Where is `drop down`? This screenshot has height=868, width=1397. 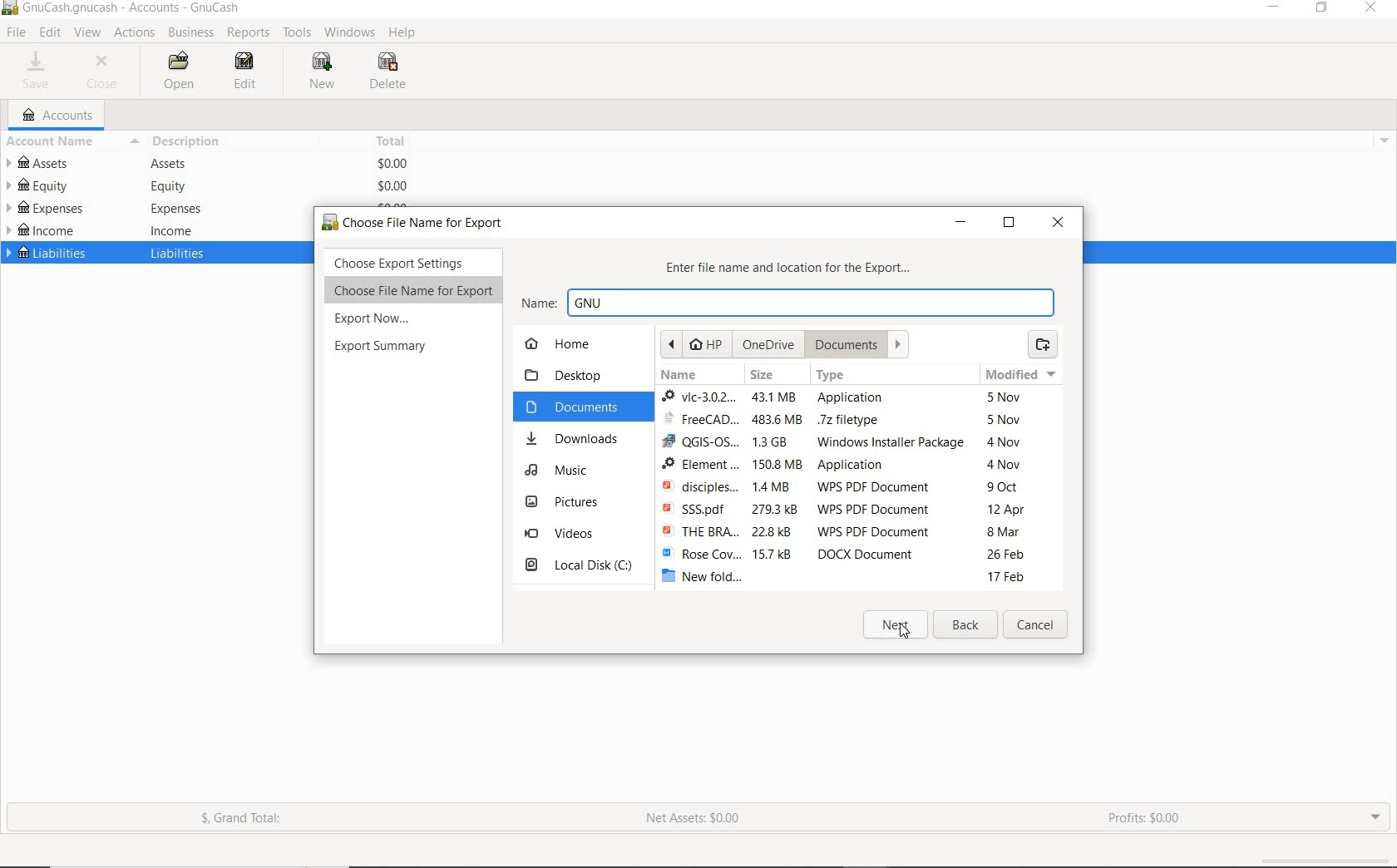 drop down is located at coordinates (1386, 140).